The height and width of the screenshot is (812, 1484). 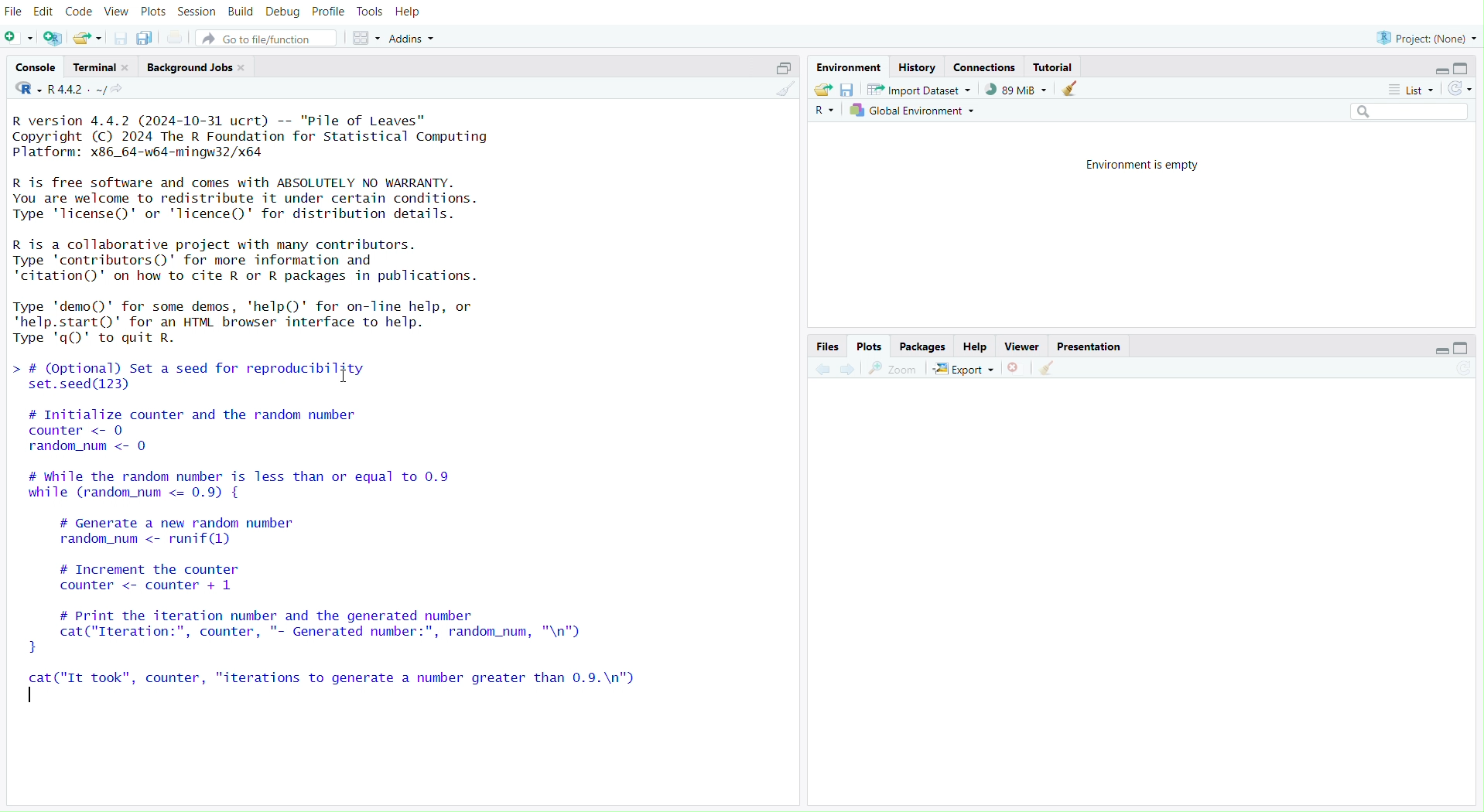 I want to click on Profile, so click(x=327, y=12).